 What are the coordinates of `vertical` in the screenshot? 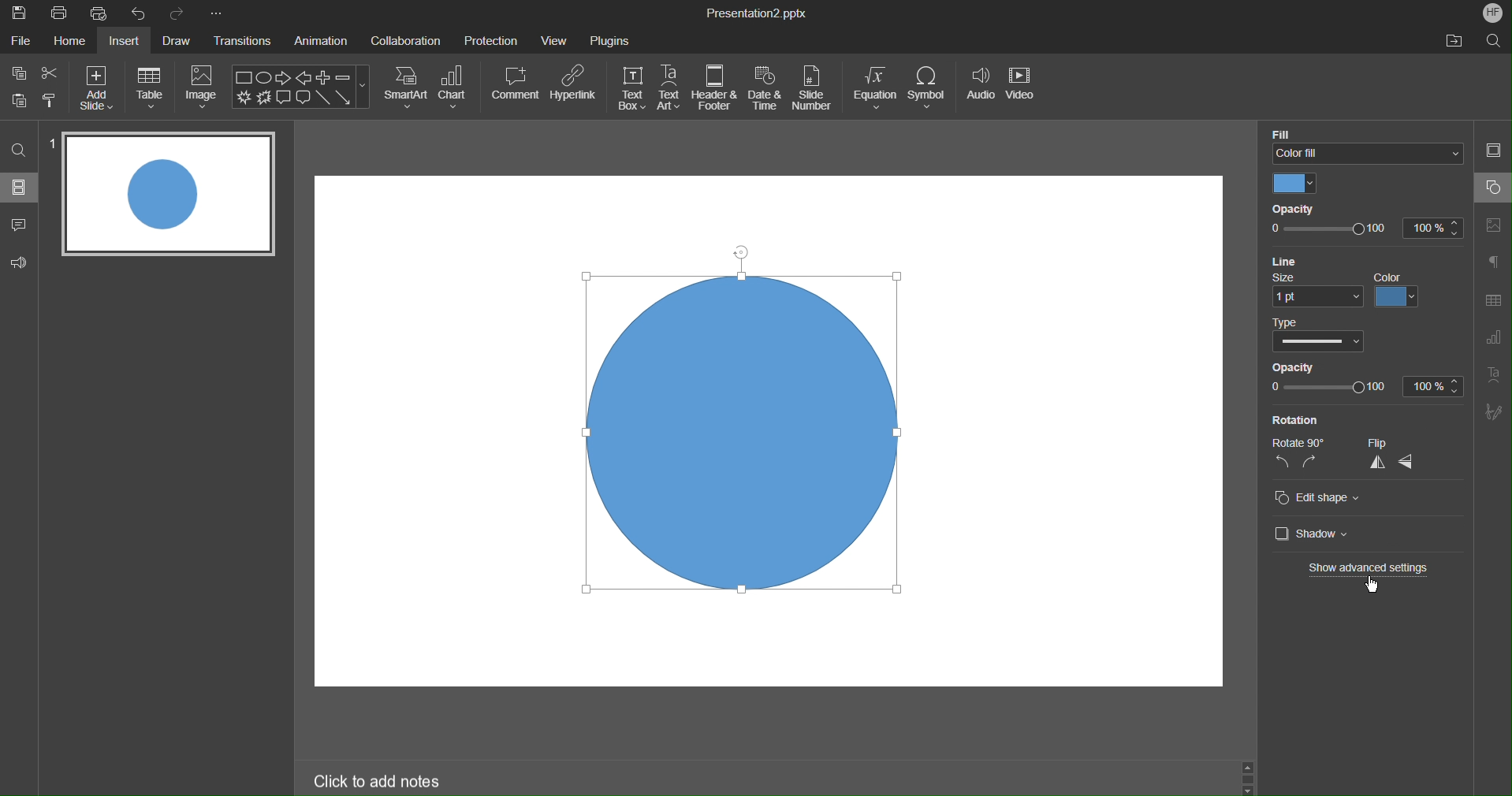 It's located at (1376, 464).